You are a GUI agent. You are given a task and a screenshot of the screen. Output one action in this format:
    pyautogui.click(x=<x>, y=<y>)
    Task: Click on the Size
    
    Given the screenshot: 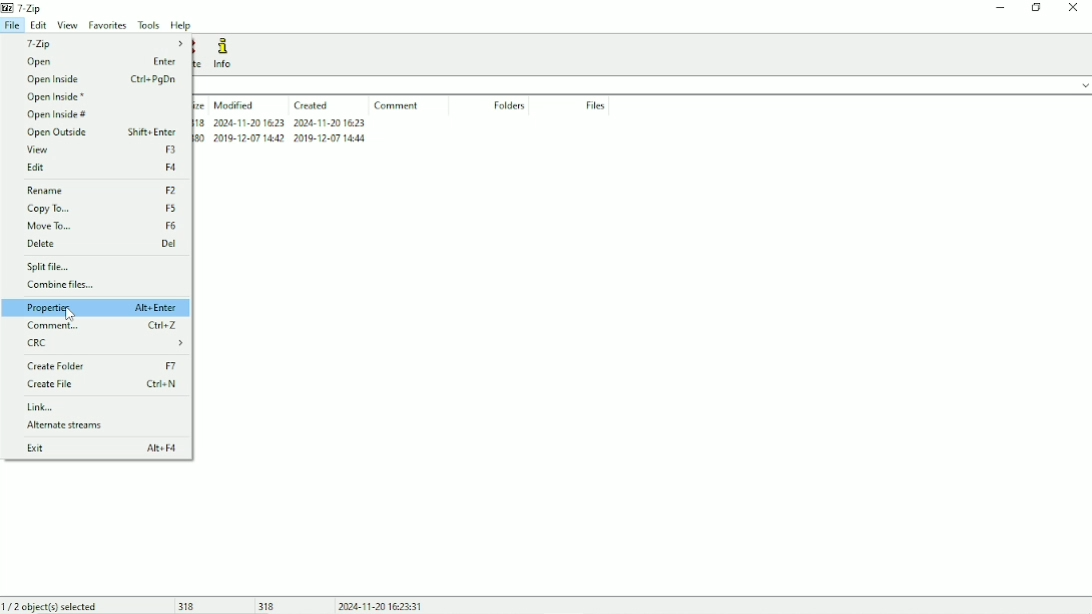 What is the action you would take?
    pyautogui.click(x=199, y=106)
    